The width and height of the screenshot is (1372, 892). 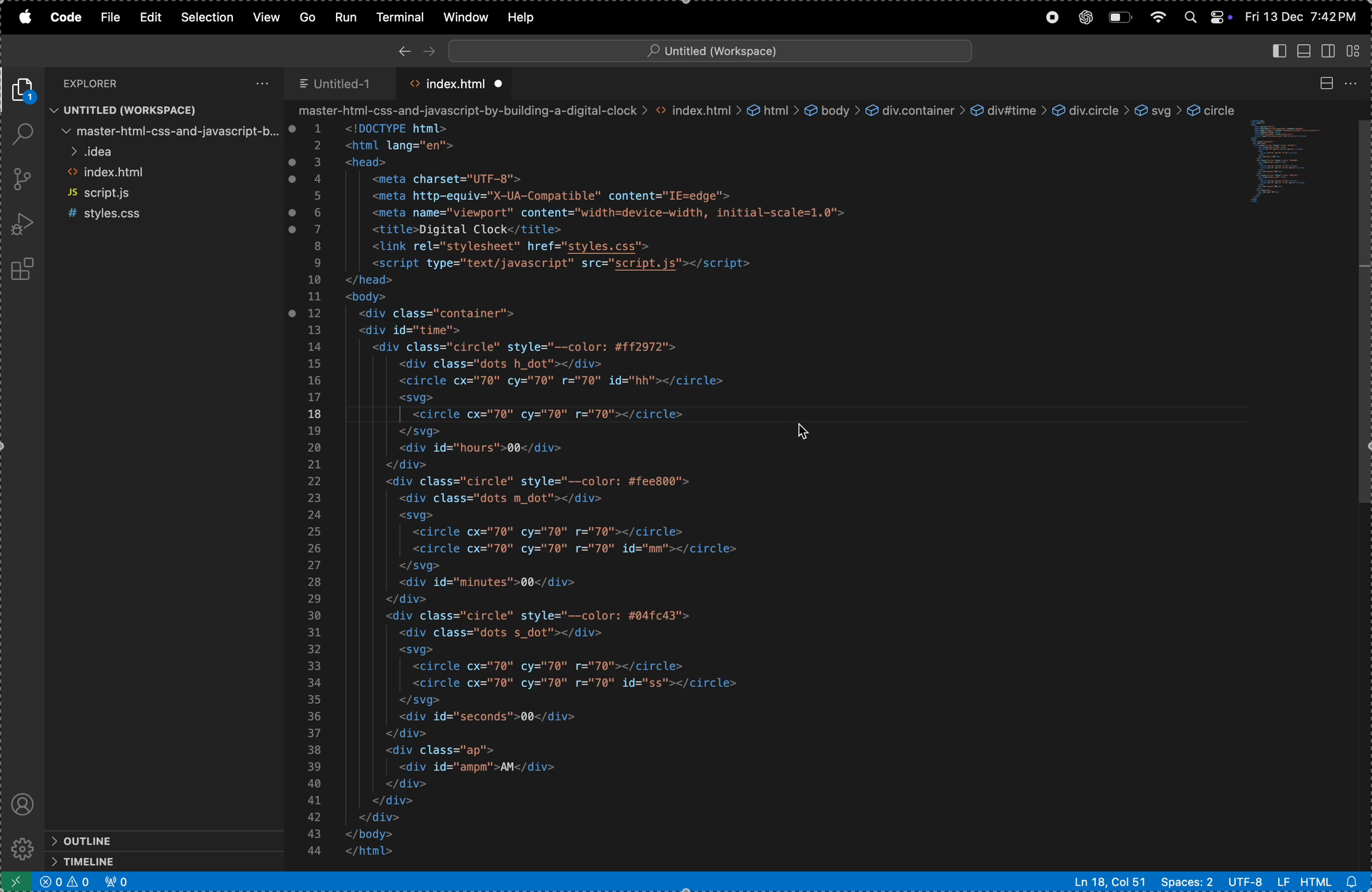 I want to click on source control, so click(x=22, y=180).